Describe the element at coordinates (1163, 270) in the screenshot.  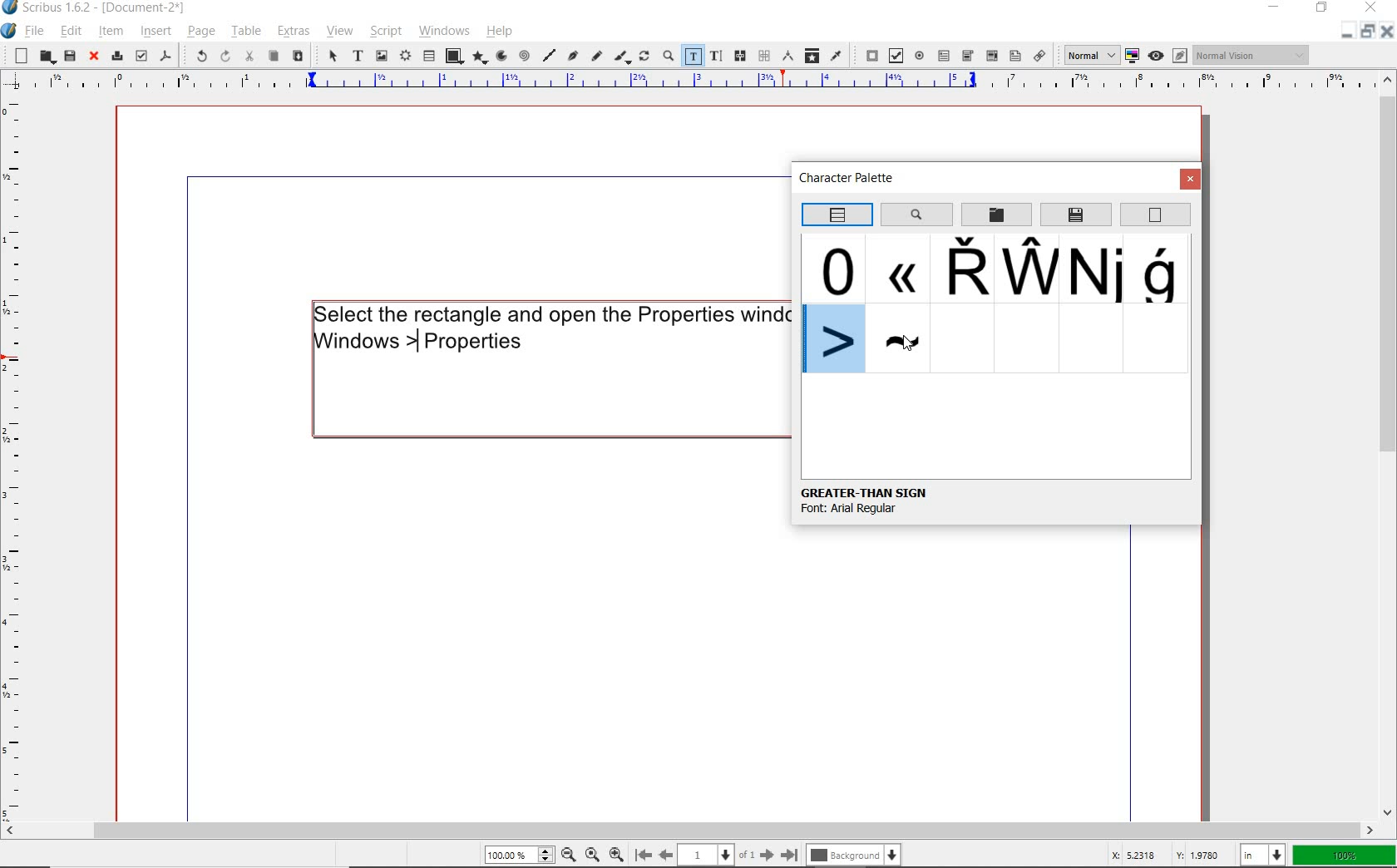
I see `glyphs` at that location.